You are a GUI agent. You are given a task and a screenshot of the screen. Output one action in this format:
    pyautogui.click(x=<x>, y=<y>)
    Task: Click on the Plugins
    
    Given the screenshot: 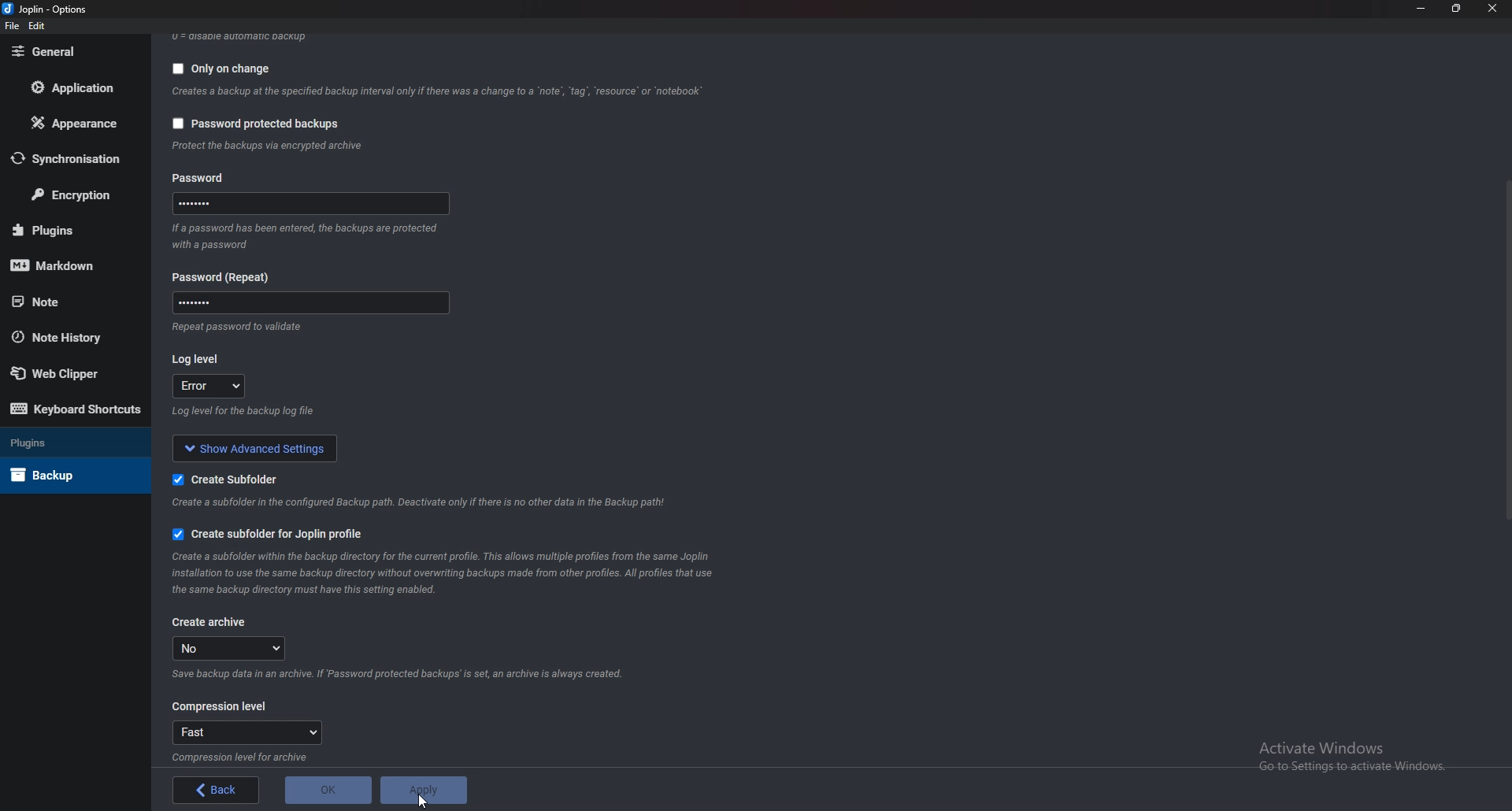 What is the action you would take?
    pyautogui.click(x=68, y=230)
    